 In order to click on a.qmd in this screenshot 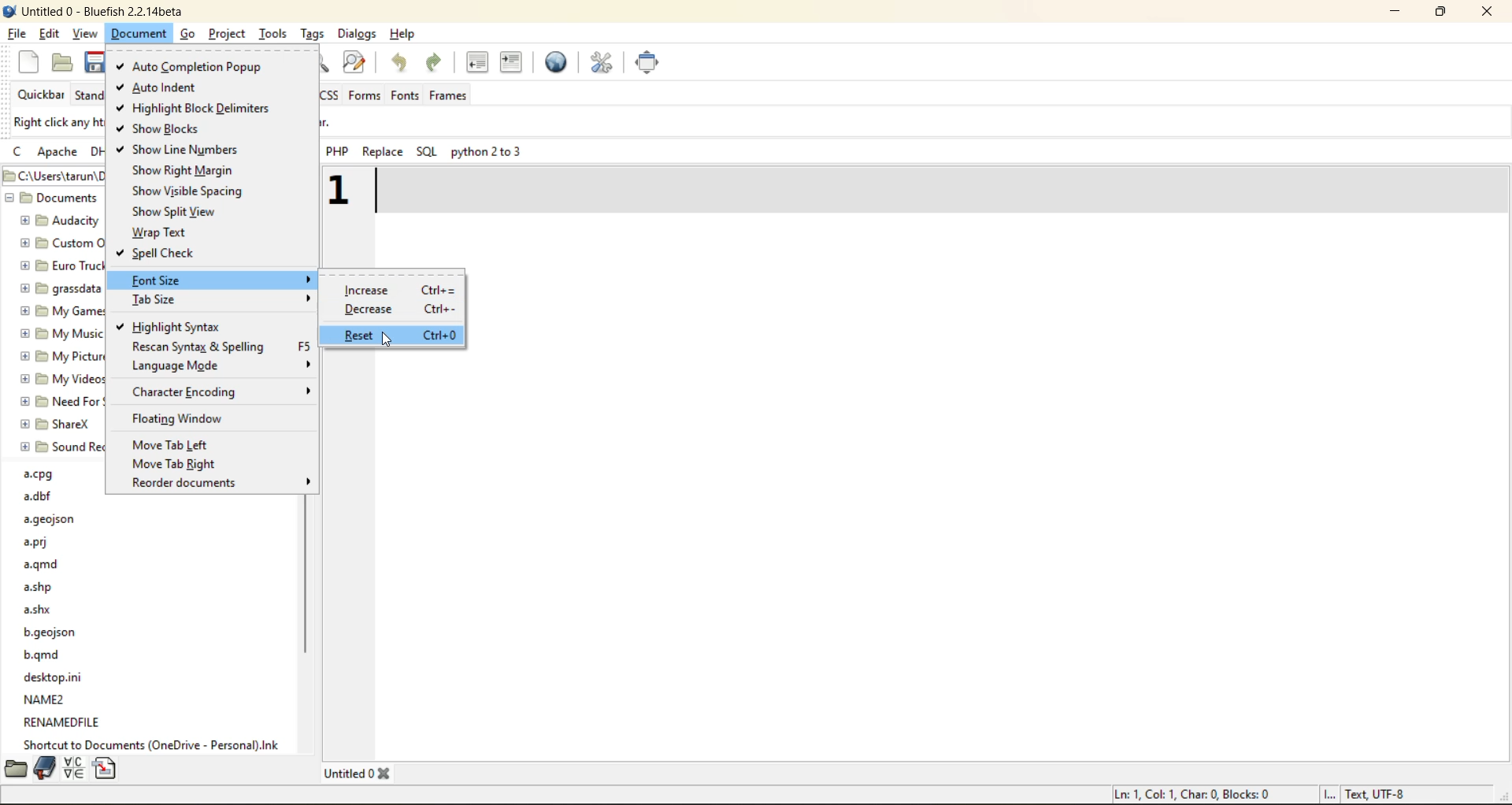, I will do `click(45, 566)`.